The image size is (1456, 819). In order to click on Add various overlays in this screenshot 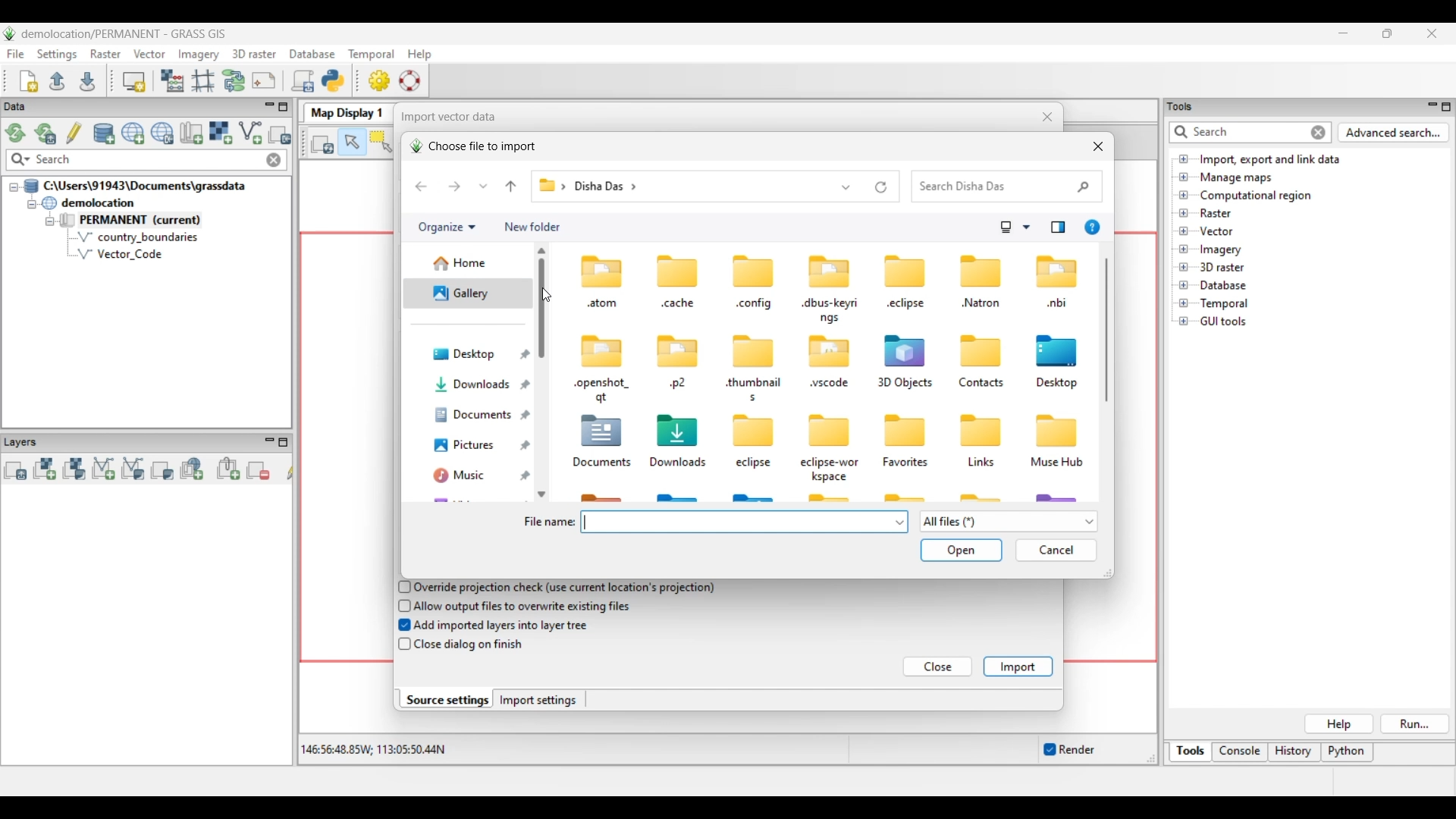, I will do `click(162, 470)`.